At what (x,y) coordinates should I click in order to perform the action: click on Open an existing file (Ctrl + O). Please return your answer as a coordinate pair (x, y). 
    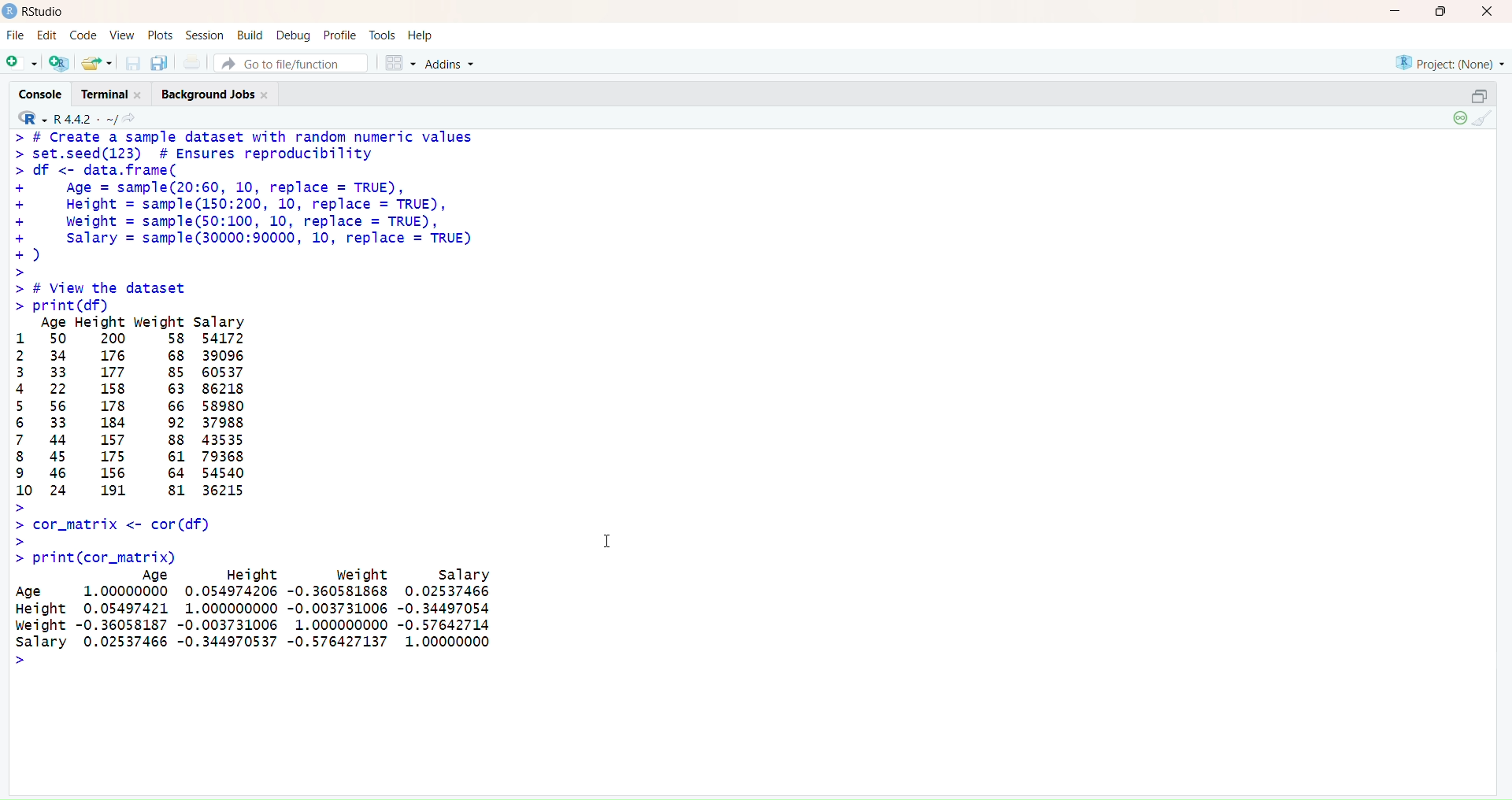
    Looking at the image, I should click on (95, 62).